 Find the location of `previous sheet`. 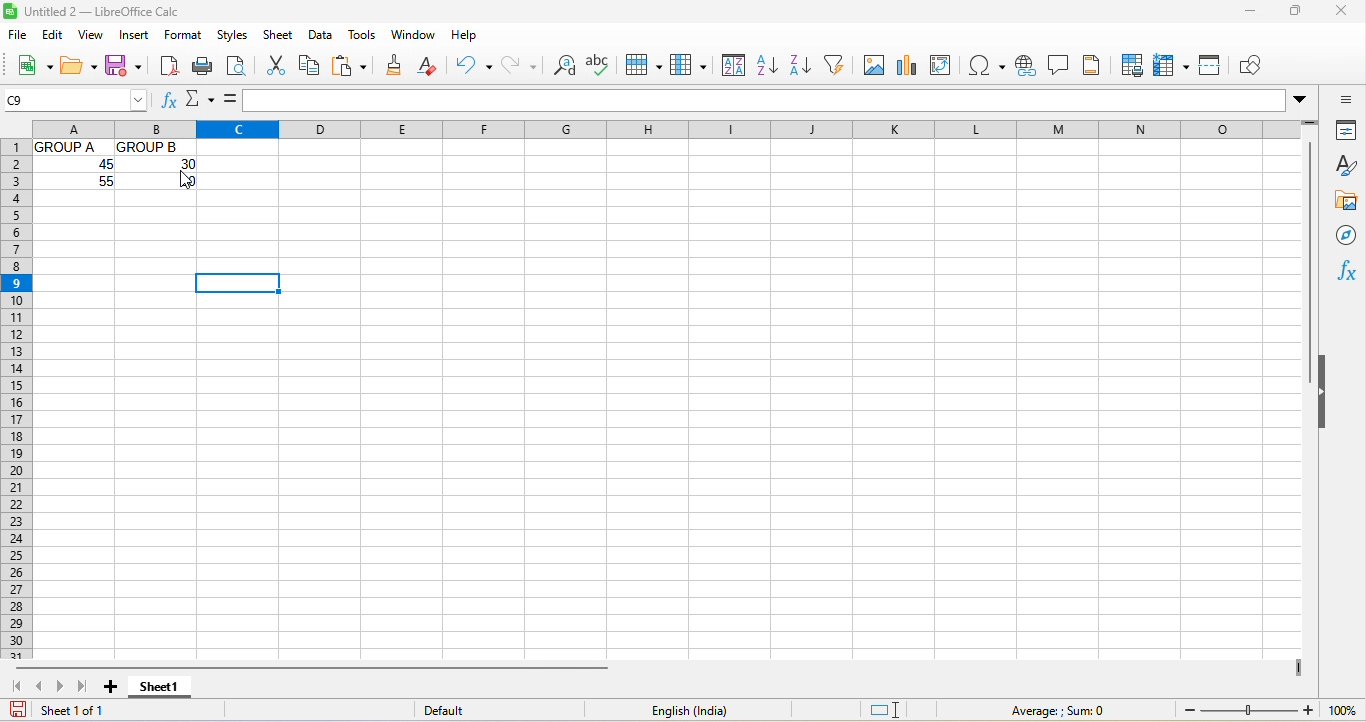

previous sheet is located at coordinates (41, 687).